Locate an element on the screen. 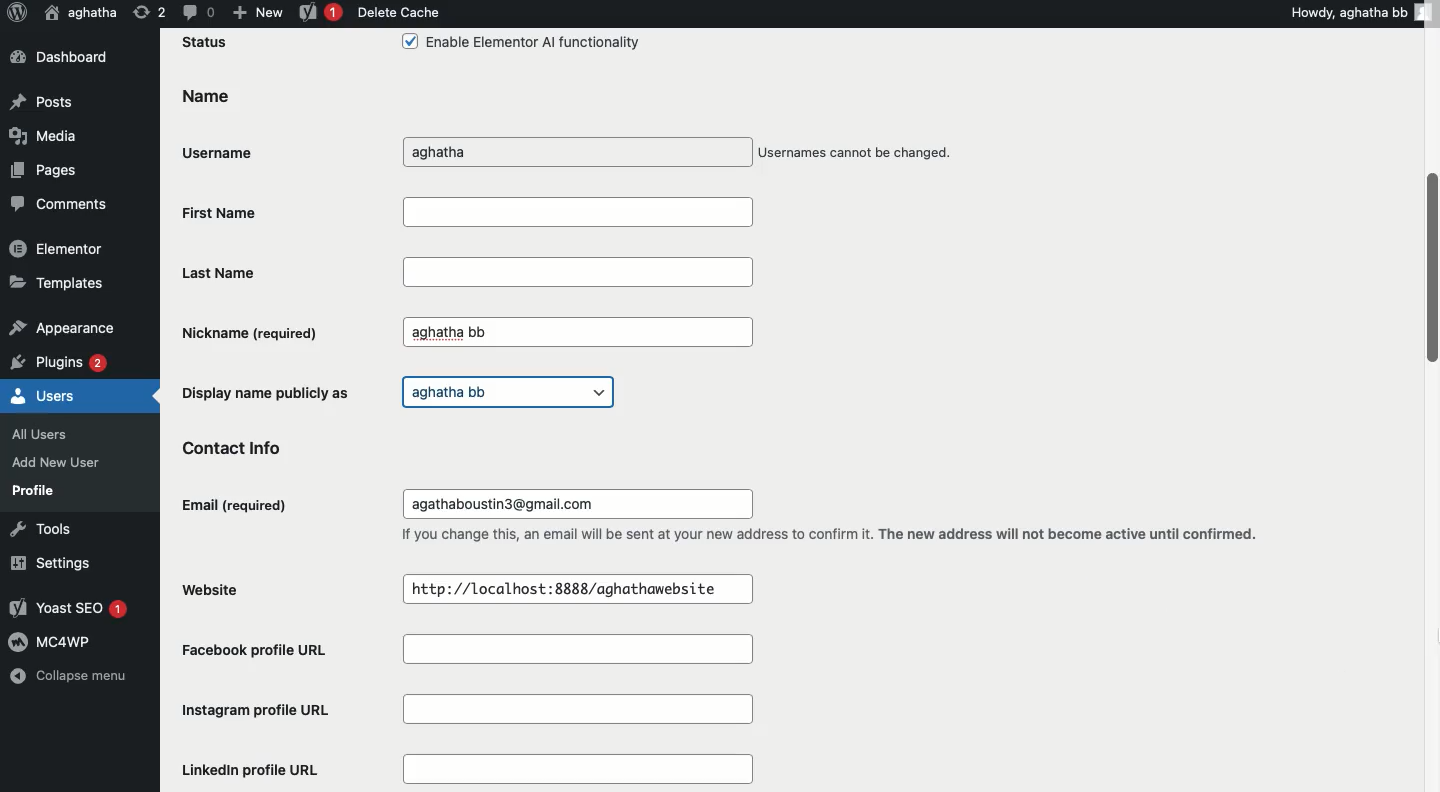 The image size is (1440, 792). Username is located at coordinates (224, 149).